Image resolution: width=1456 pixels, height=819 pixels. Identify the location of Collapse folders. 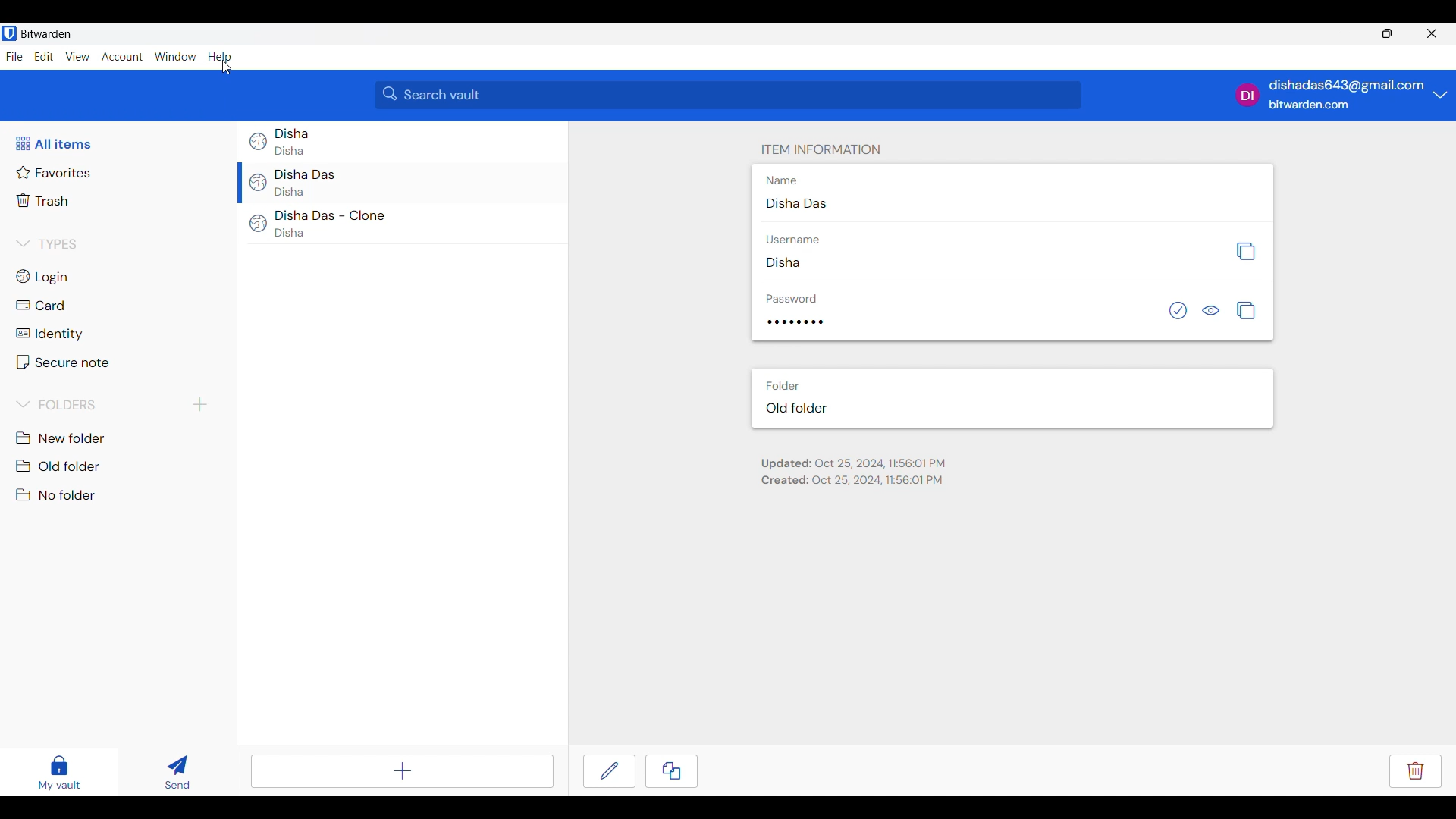
(58, 404).